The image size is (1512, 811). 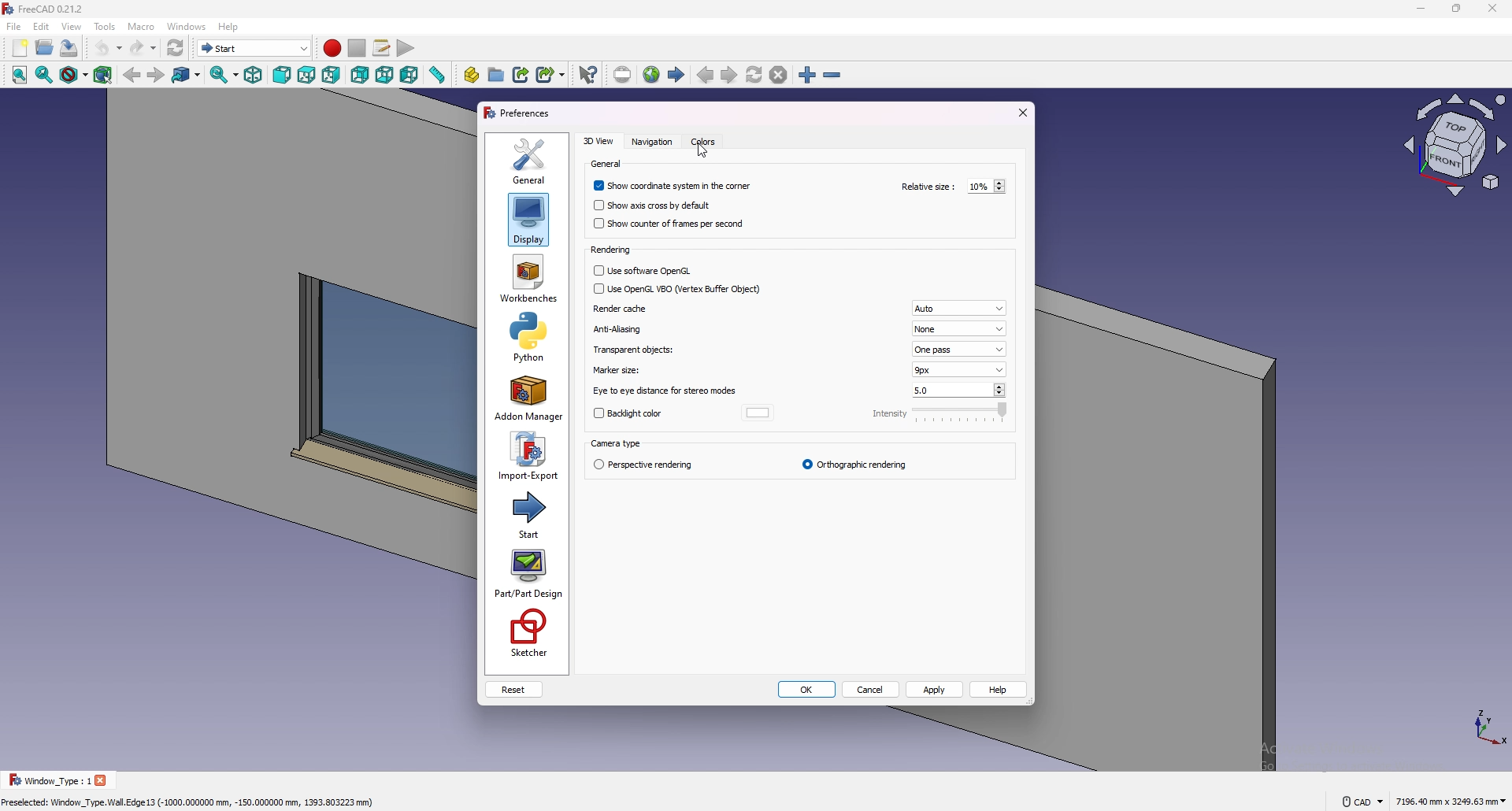 I want to click on reset, so click(x=513, y=690).